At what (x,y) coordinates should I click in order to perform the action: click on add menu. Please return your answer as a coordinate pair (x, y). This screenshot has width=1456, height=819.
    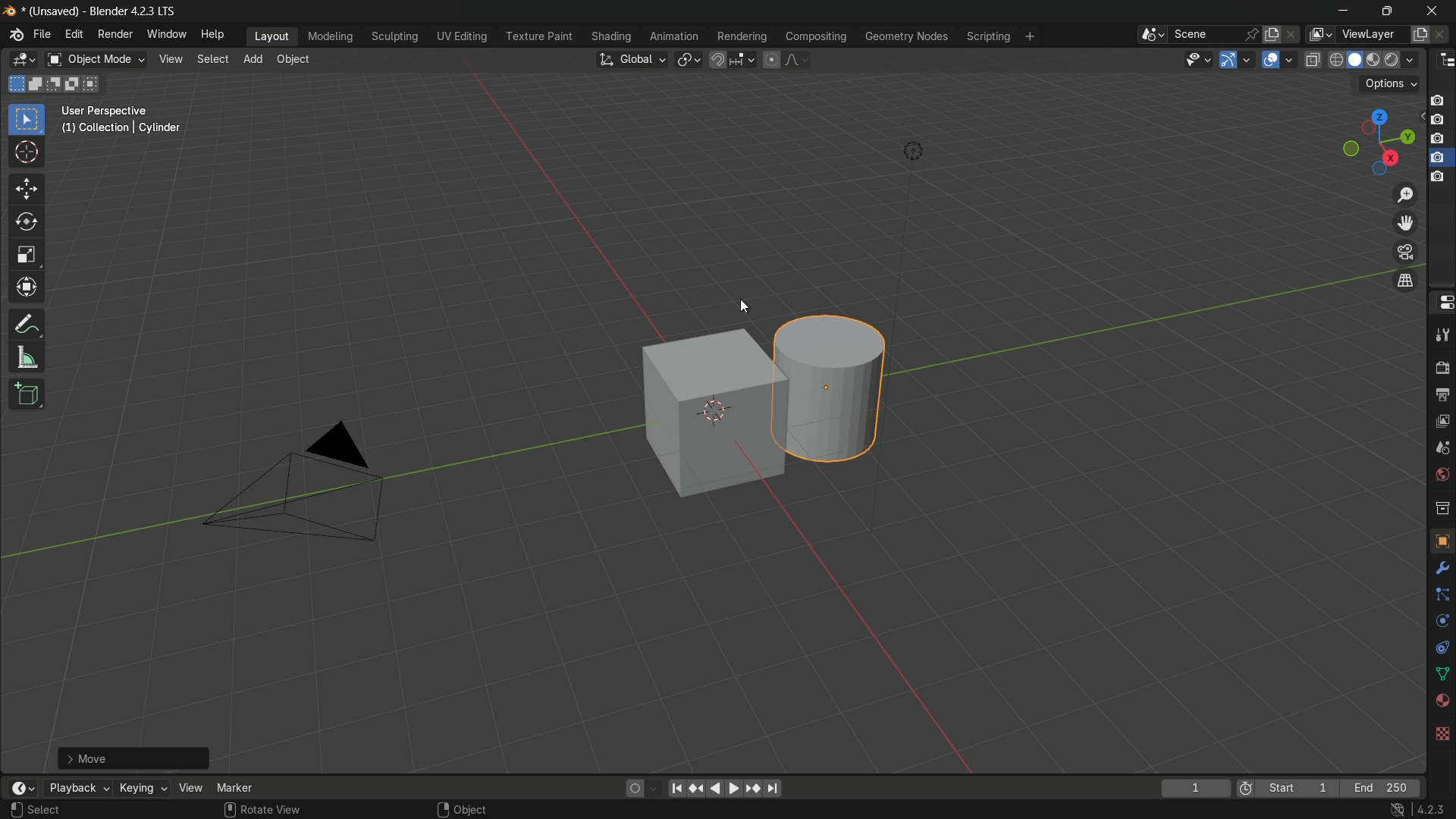
    Looking at the image, I should click on (251, 60).